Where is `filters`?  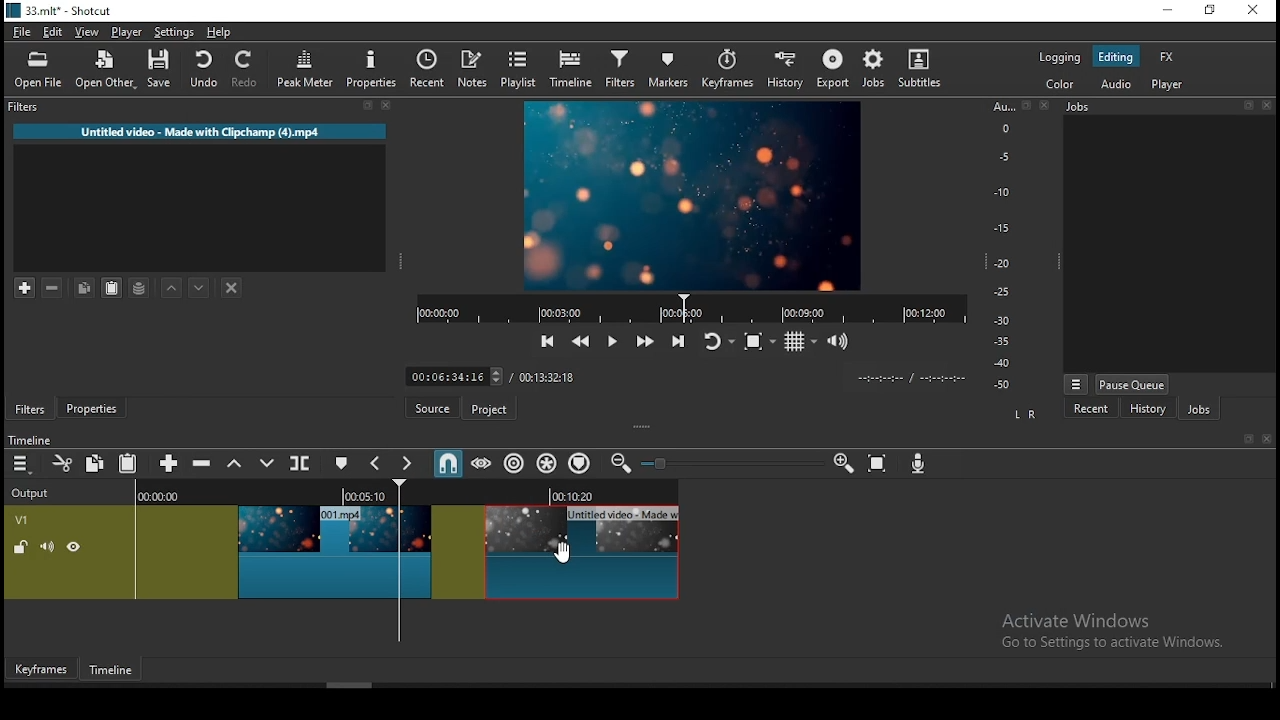
filters is located at coordinates (21, 107).